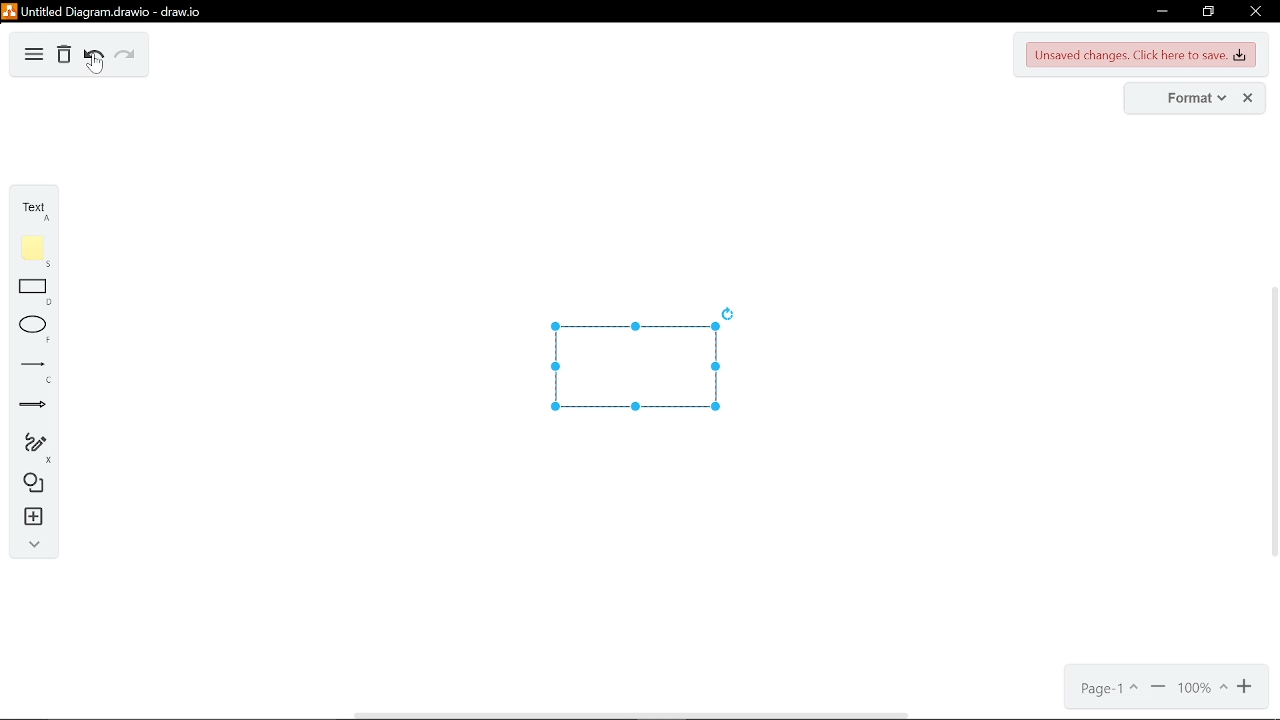 This screenshot has height=720, width=1280. I want to click on zoom in, so click(1247, 688).